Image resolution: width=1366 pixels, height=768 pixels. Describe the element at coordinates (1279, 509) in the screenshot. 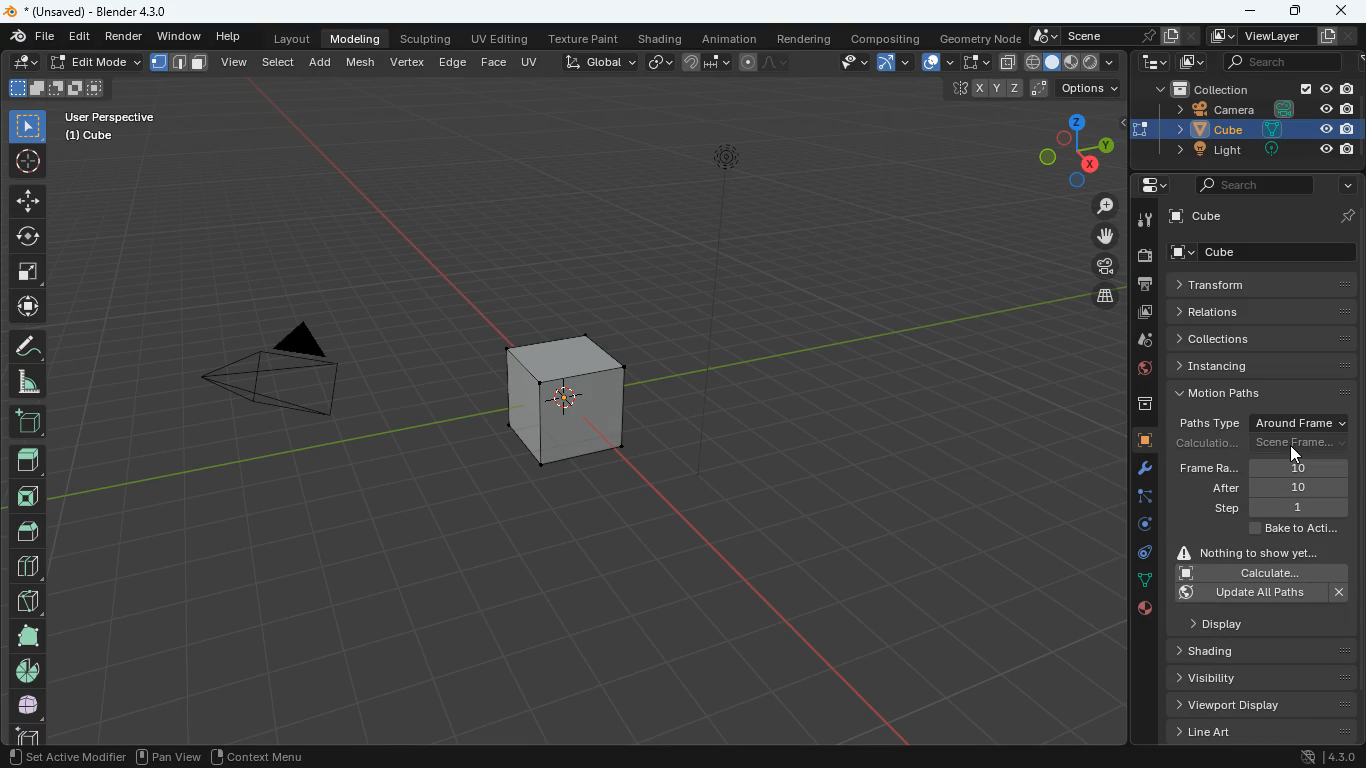

I see `step ` at that location.